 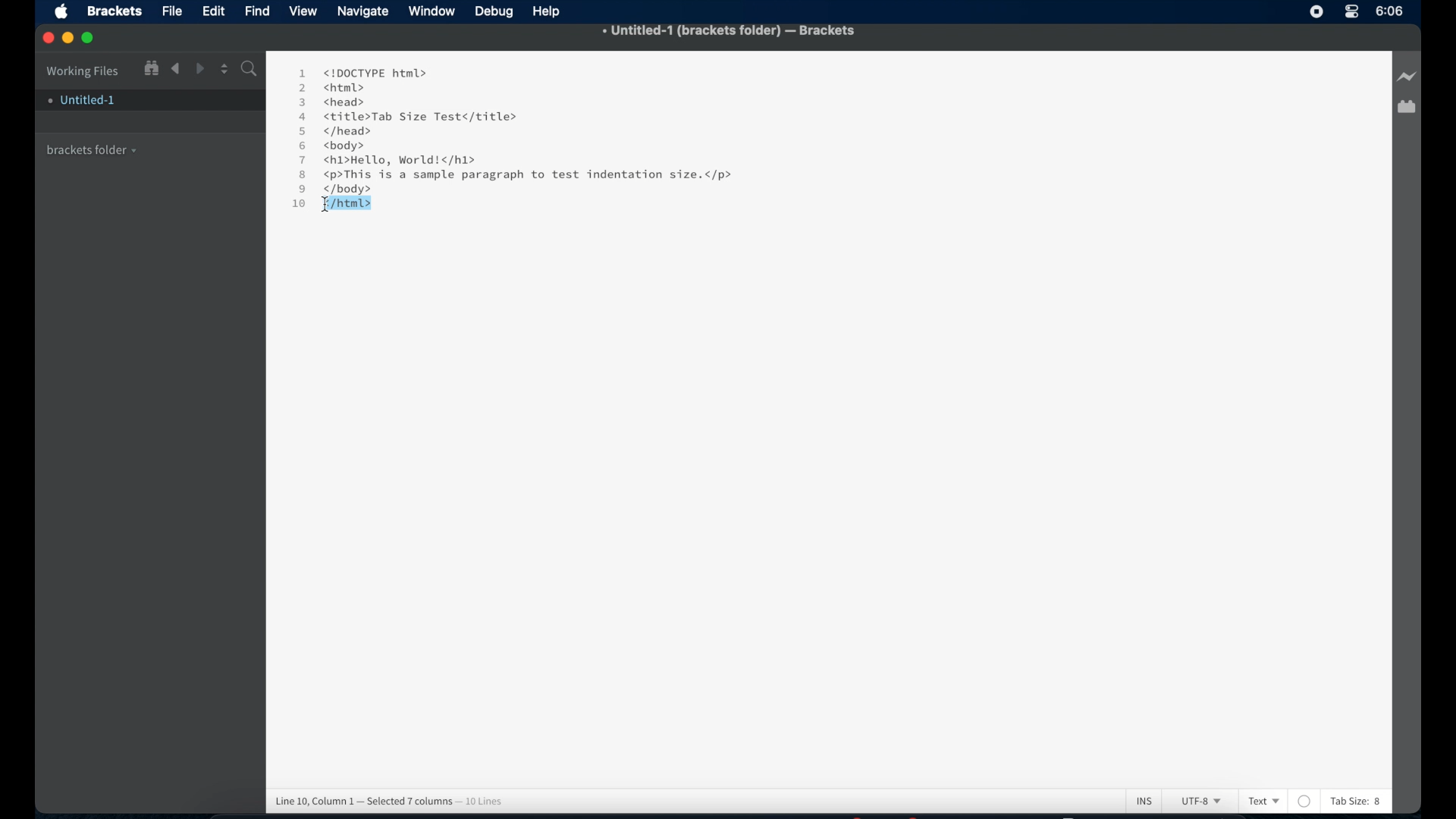 I want to click on Tab Size, so click(x=1348, y=801).